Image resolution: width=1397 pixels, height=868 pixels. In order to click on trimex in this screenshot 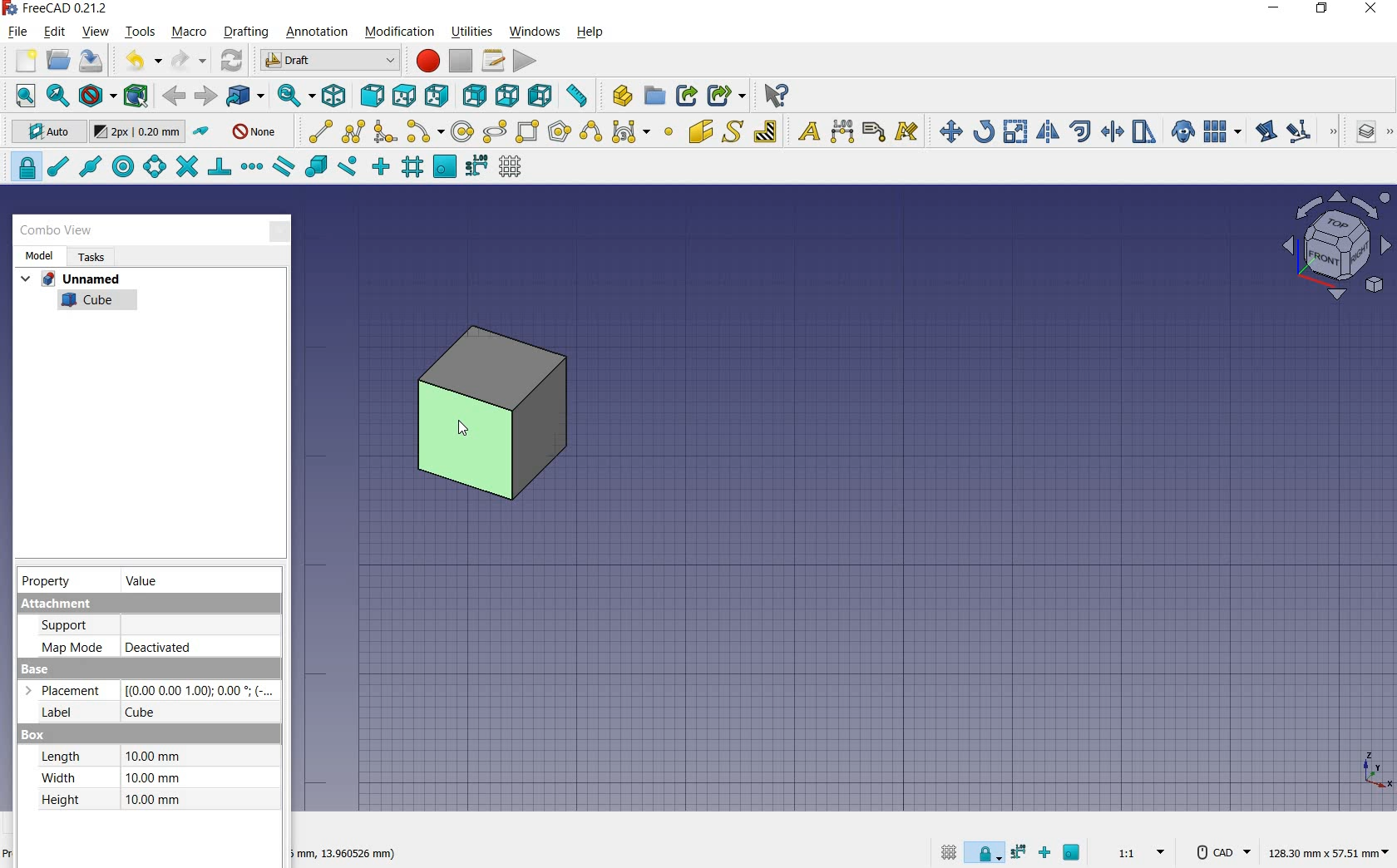, I will do `click(1112, 131)`.